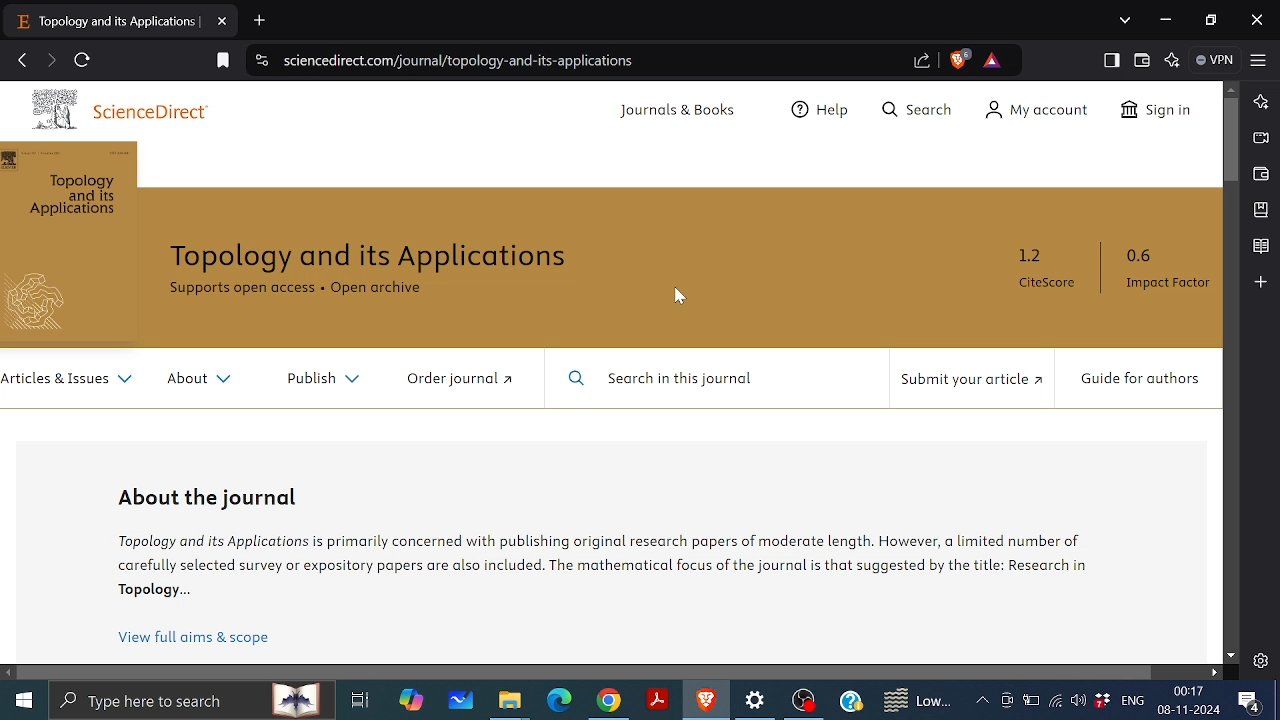 The height and width of the screenshot is (720, 1280). What do you see at coordinates (1173, 271) in the screenshot?
I see `0.6 Impact Factor` at bounding box center [1173, 271].